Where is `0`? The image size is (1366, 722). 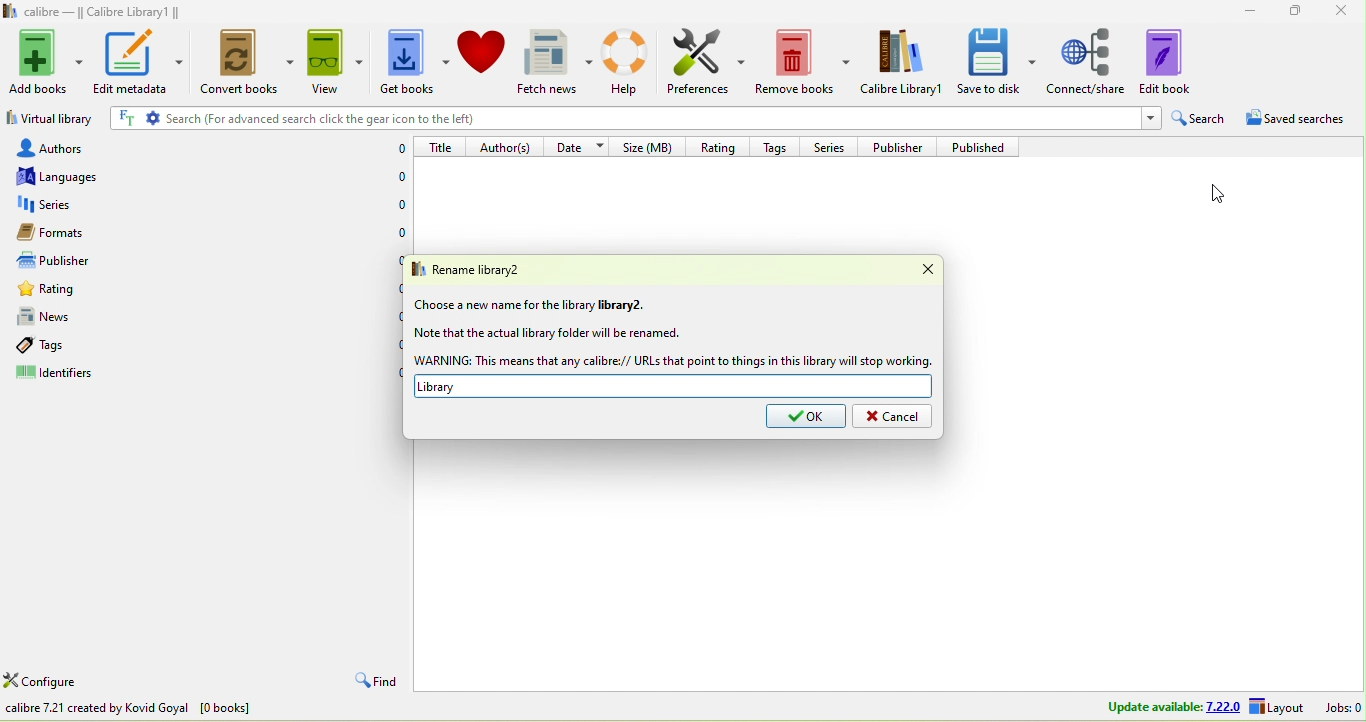
0 is located at coordinates (389, 314).